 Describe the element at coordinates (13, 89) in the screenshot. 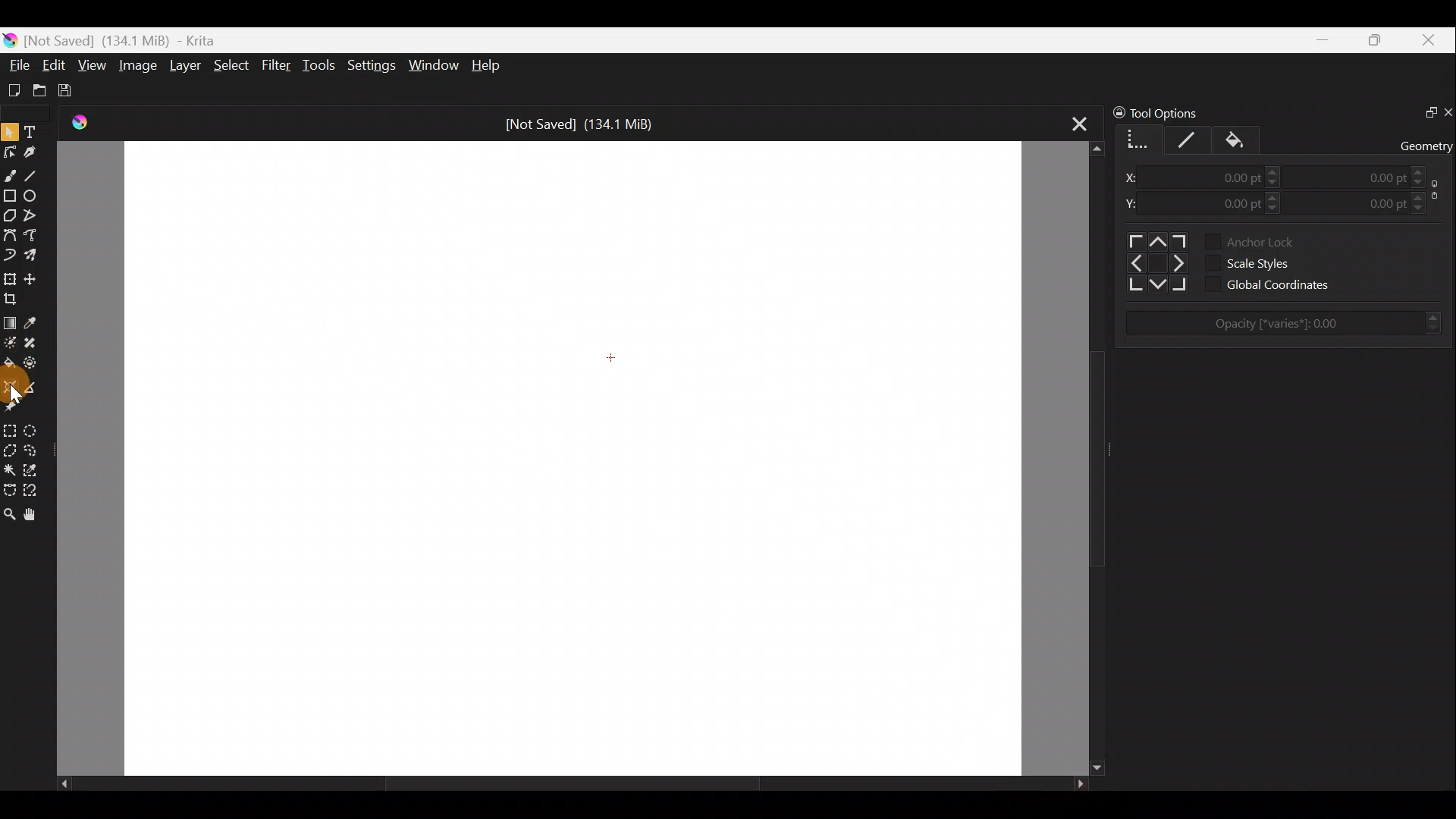

I see `Create new document` at that location.